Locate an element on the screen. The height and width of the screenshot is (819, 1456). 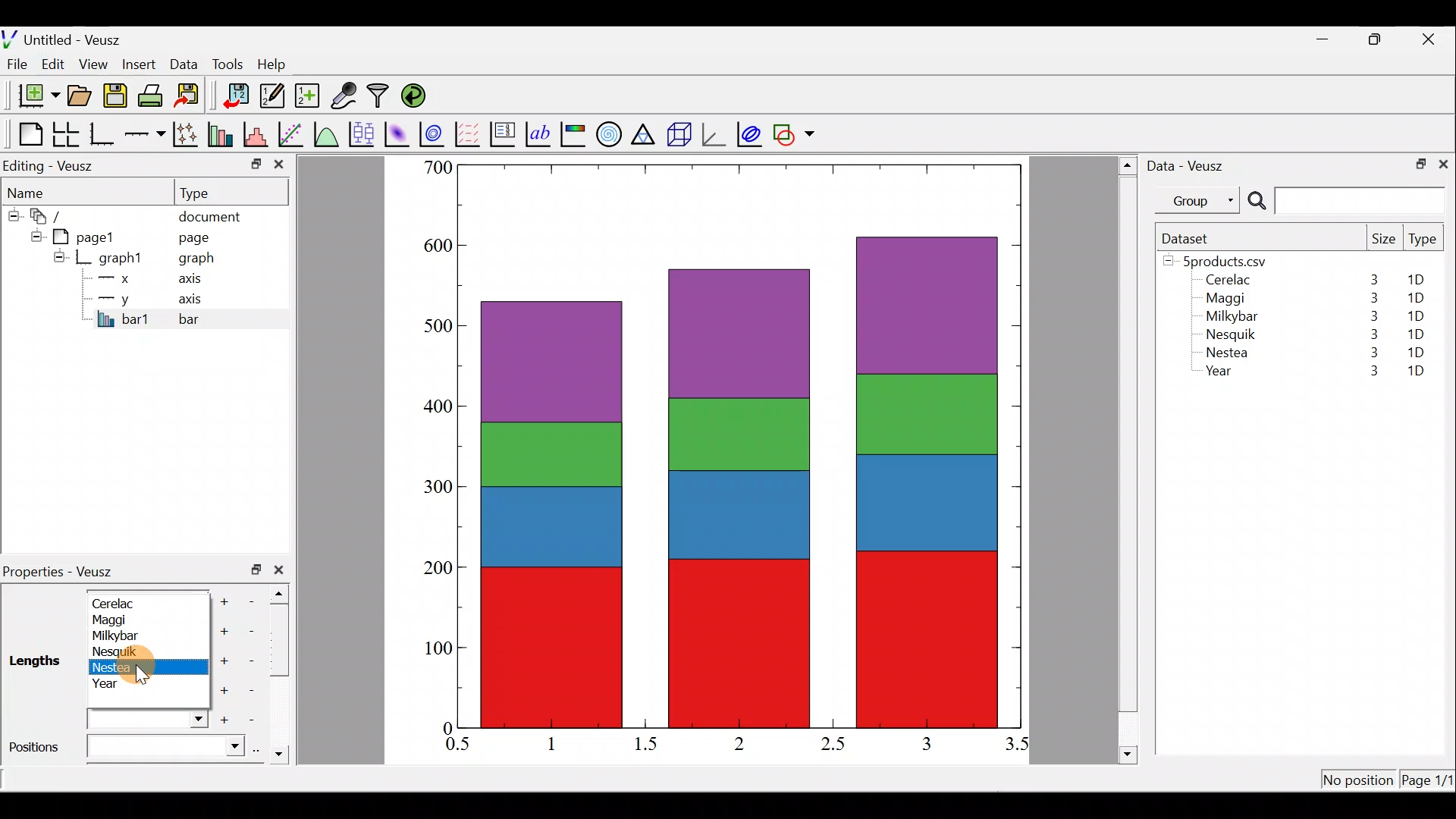
Plot a function is located at coordinates (327, 133).